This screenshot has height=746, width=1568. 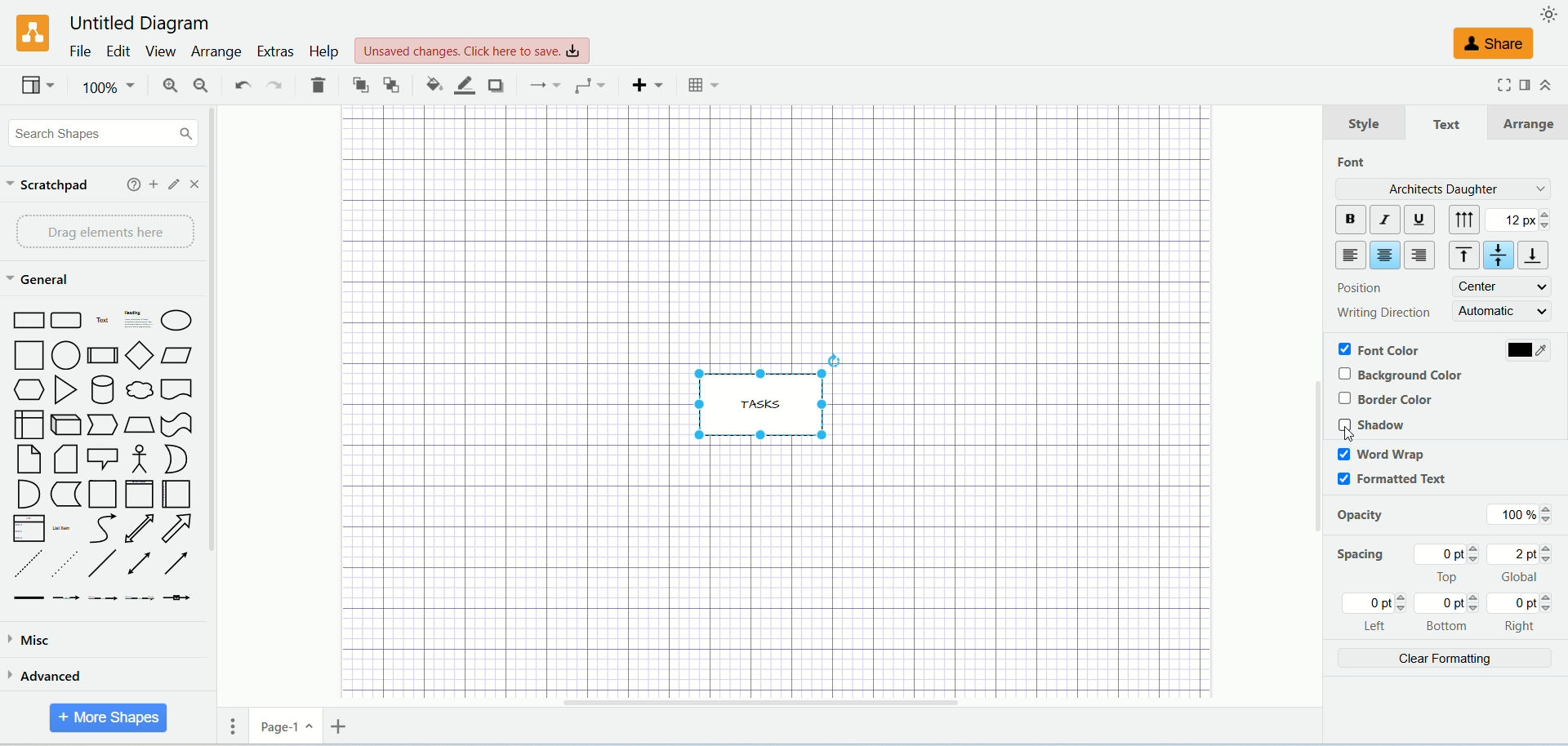 What do you see at coordinates (68, 318) in the screenshot?
I see `Rounded Rectangle` at bounding box center [68, 318].